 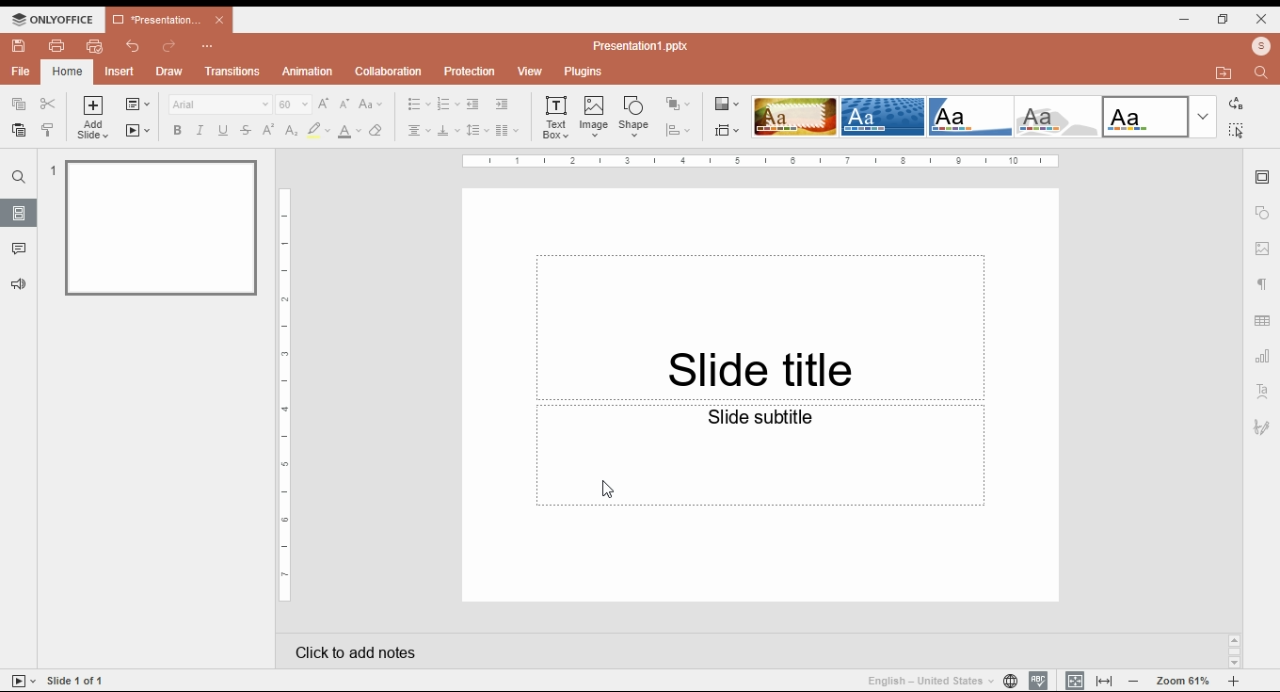 What do you see at coordinates (66, 72) in the screenshot?
I see `home` at bounding box center [66, 72].